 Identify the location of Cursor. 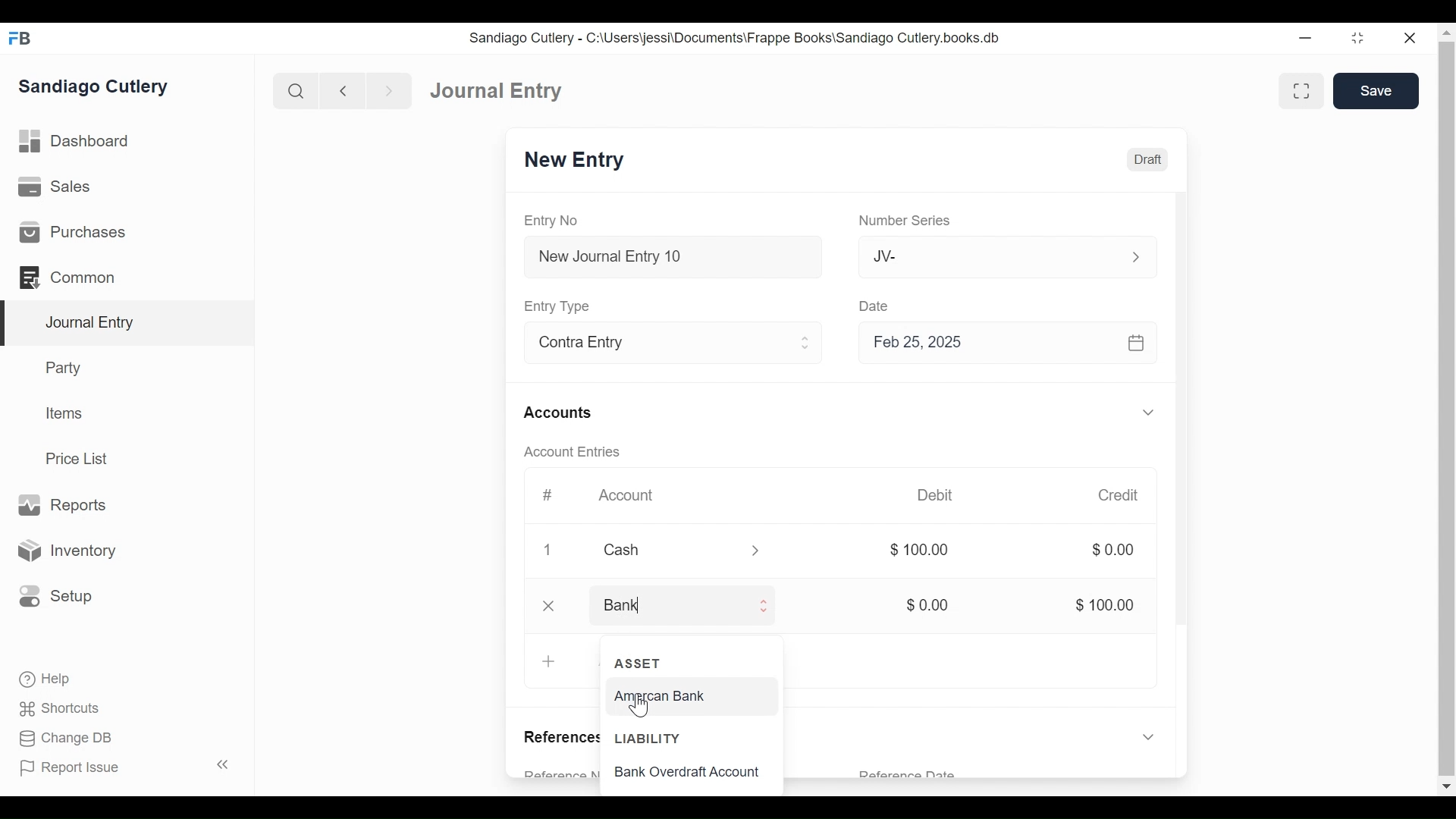
(639, 707).